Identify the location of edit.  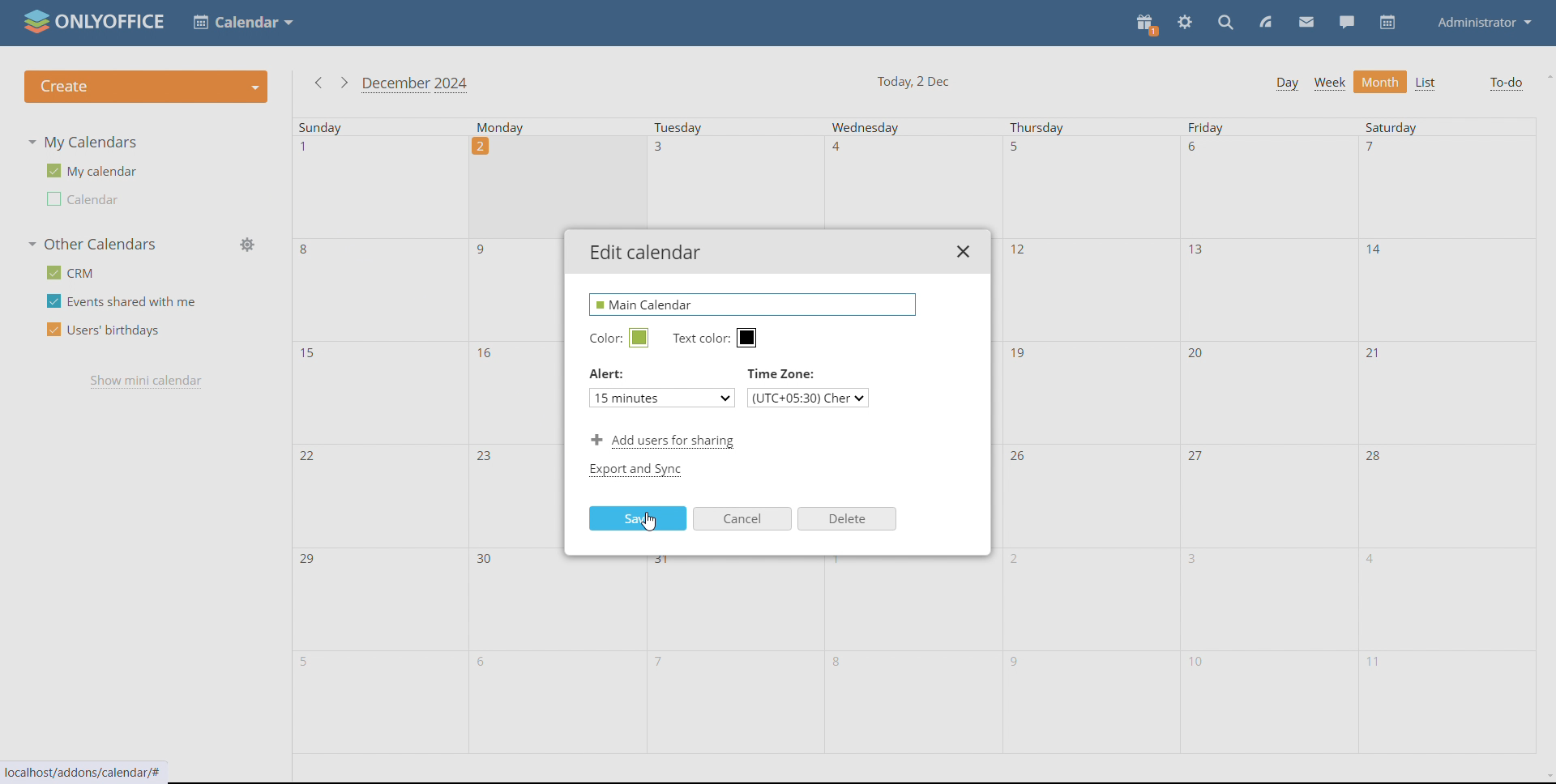
(250, 173).